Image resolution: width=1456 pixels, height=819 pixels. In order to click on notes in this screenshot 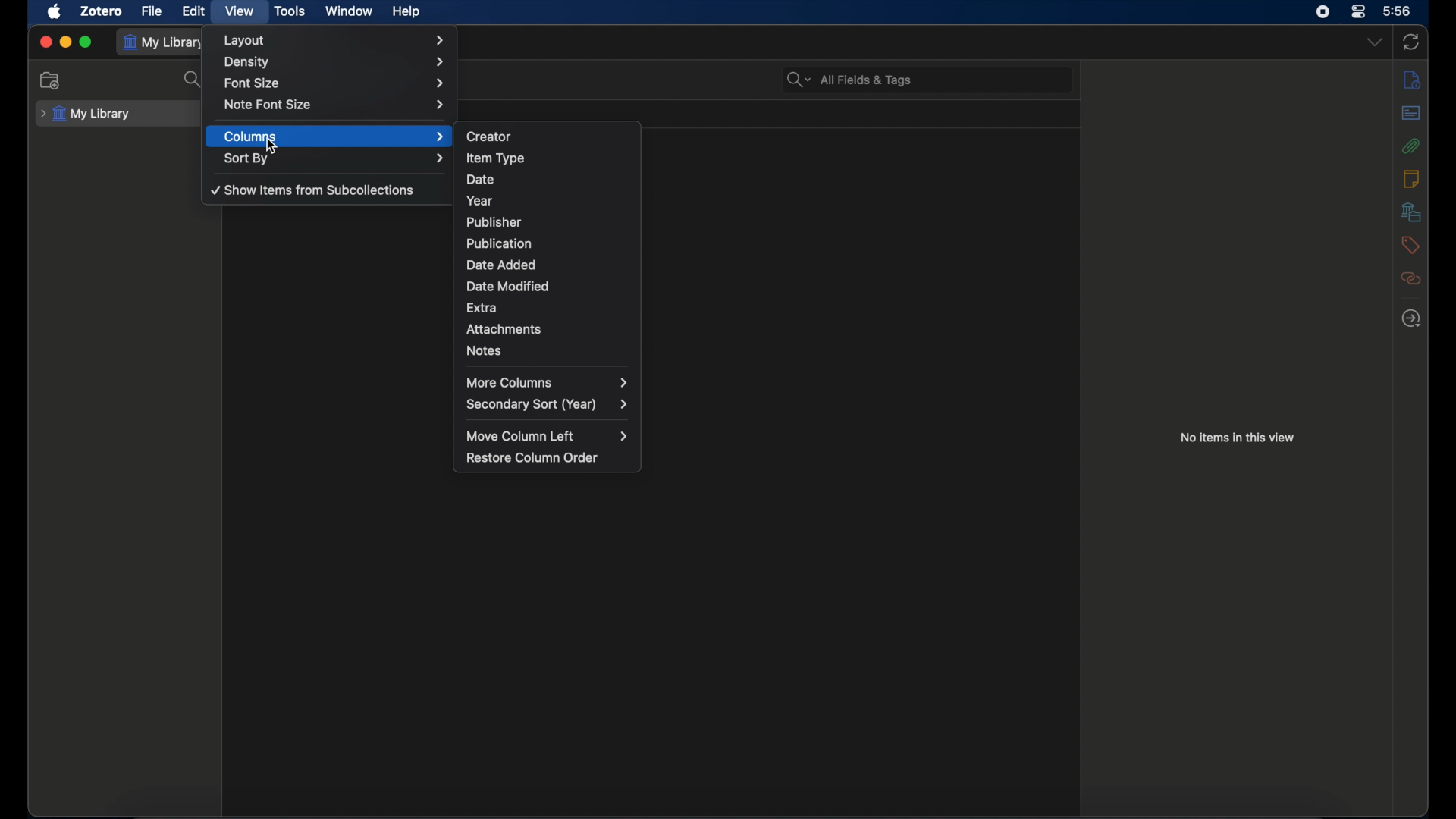, I will do `click(1410, 177)`.